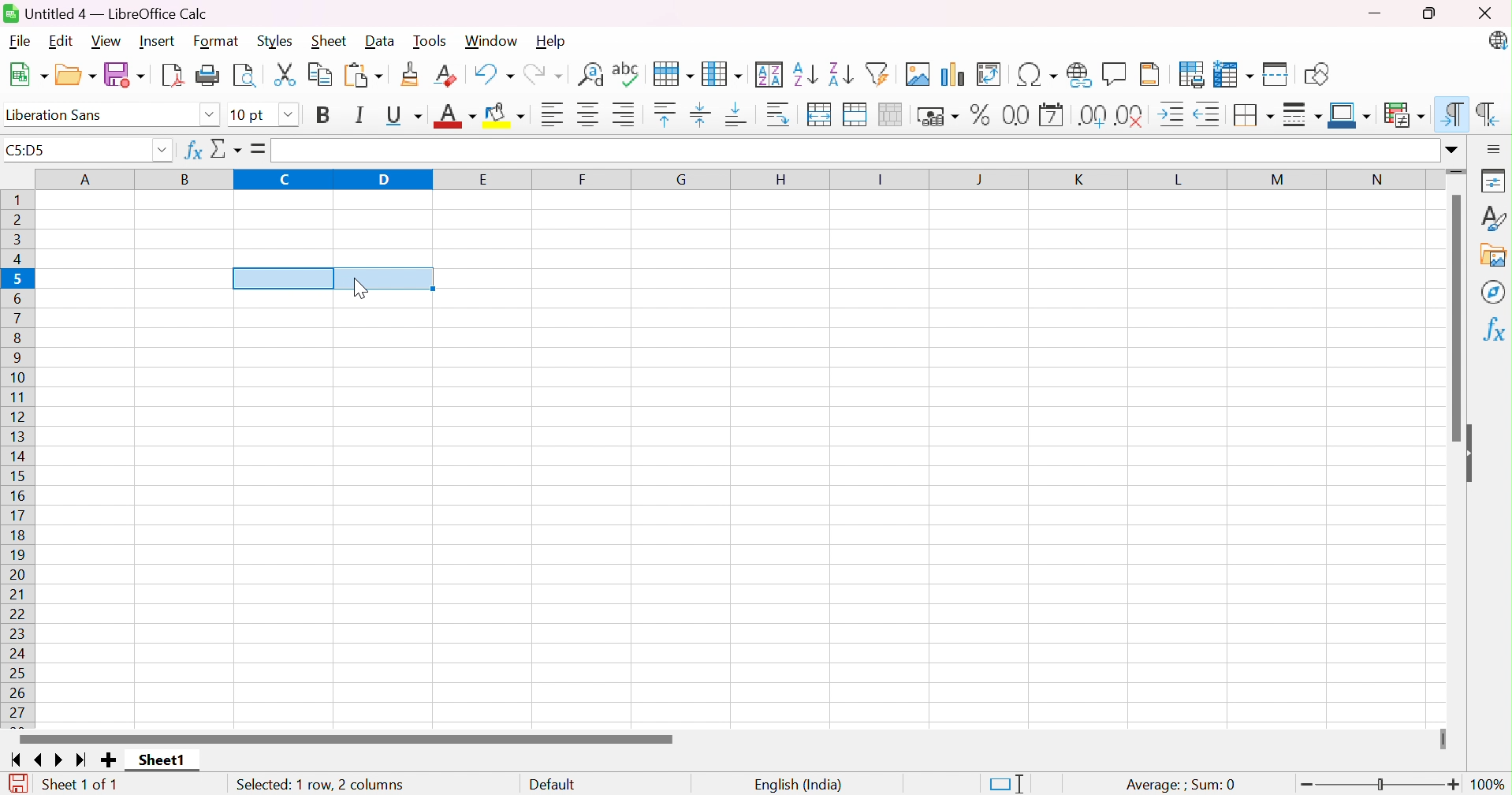 This screenshot has width=1512, height=795. I want to click on Select Function, so click(229, 150).